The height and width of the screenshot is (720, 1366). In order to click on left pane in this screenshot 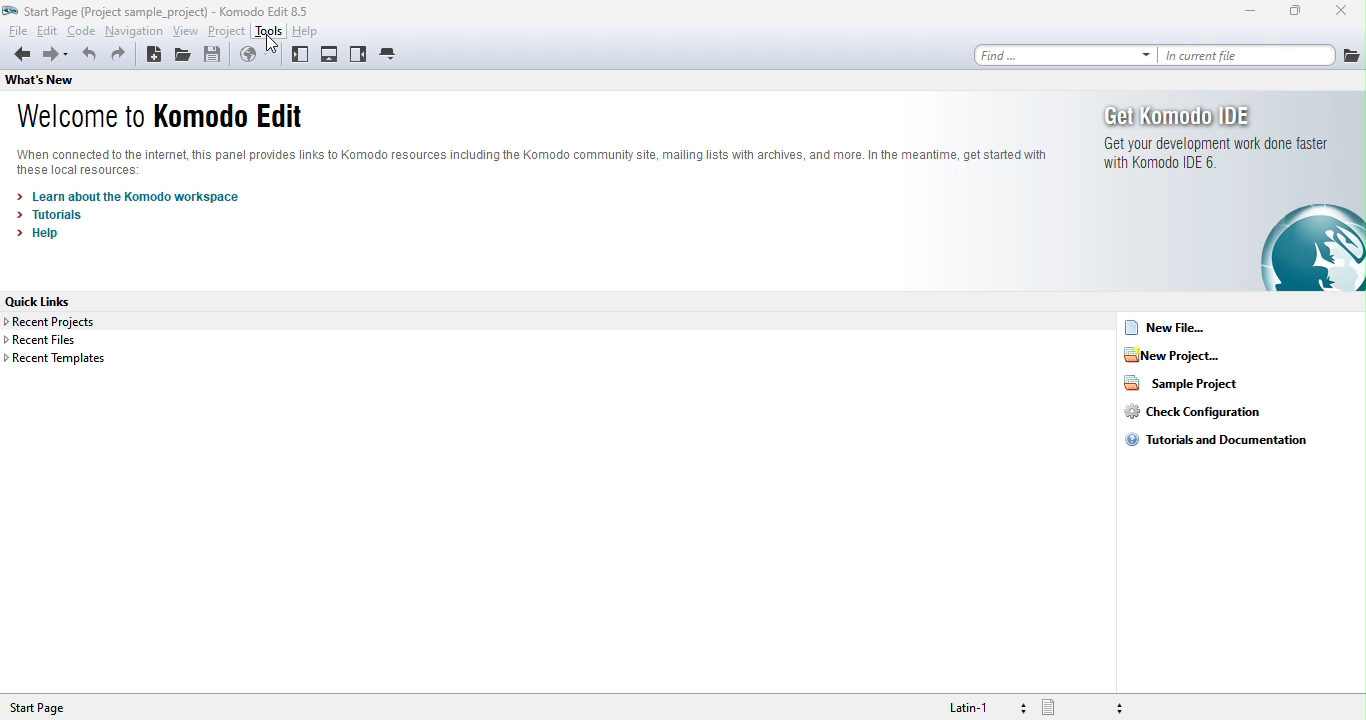, I will do `click(298, 56)`.